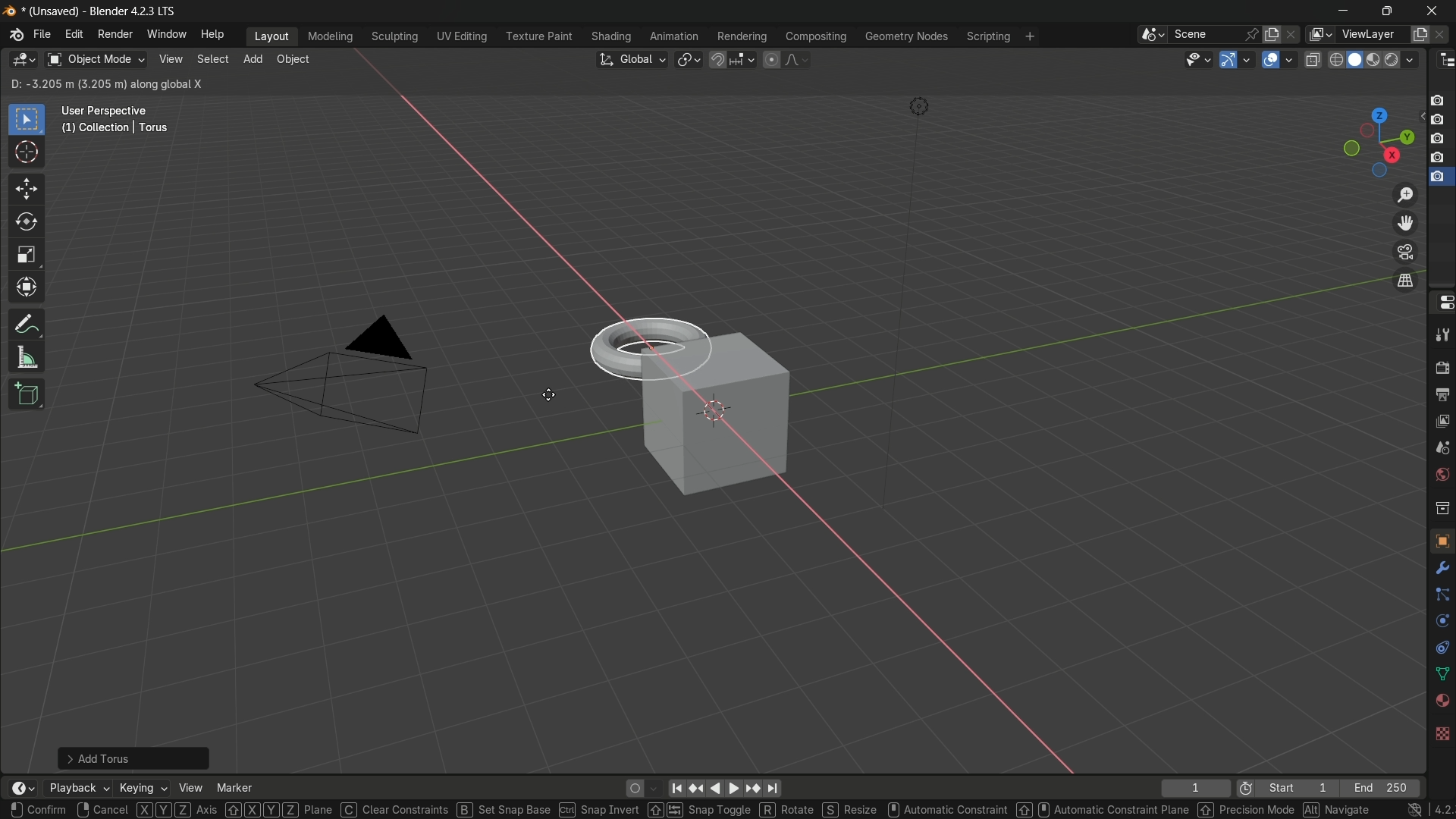  Describe the element at coordinates (1439, 178) in the screenshot. I see `selected layer 5` at that location.